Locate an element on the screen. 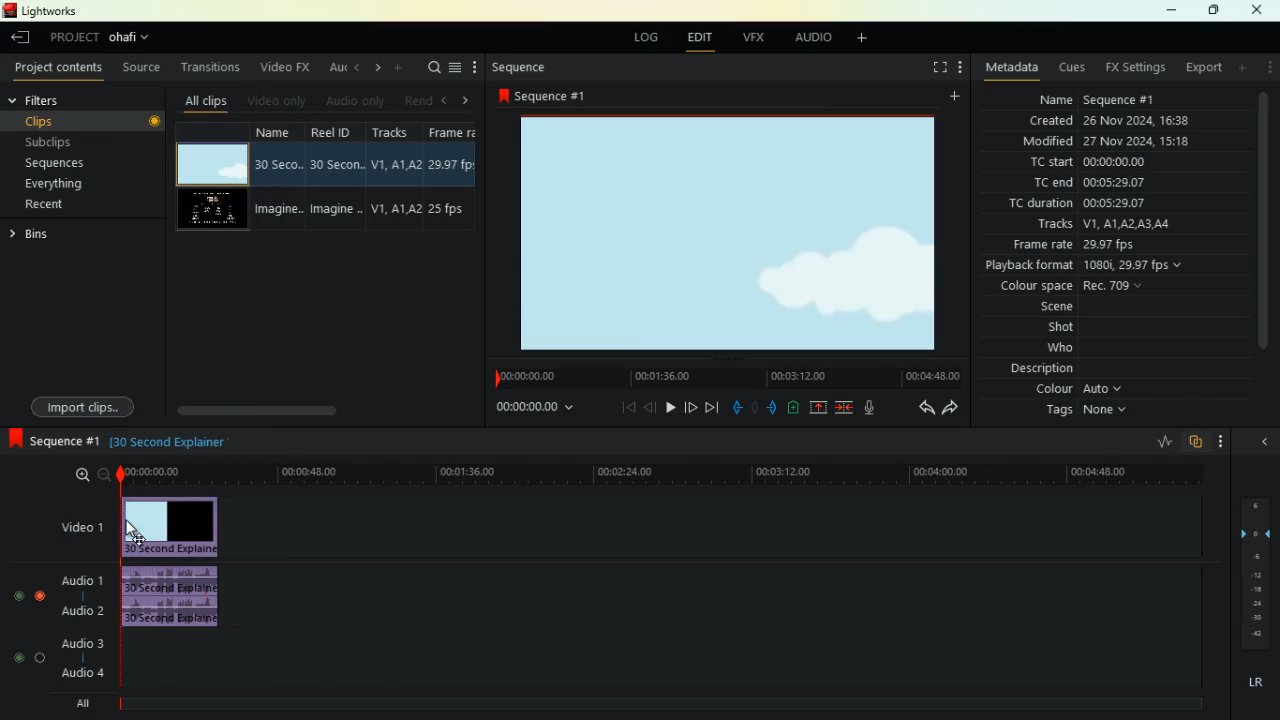 Image resolution: width=1280 pixels, height=720 pixels. project is located at coordinates (106, 38).